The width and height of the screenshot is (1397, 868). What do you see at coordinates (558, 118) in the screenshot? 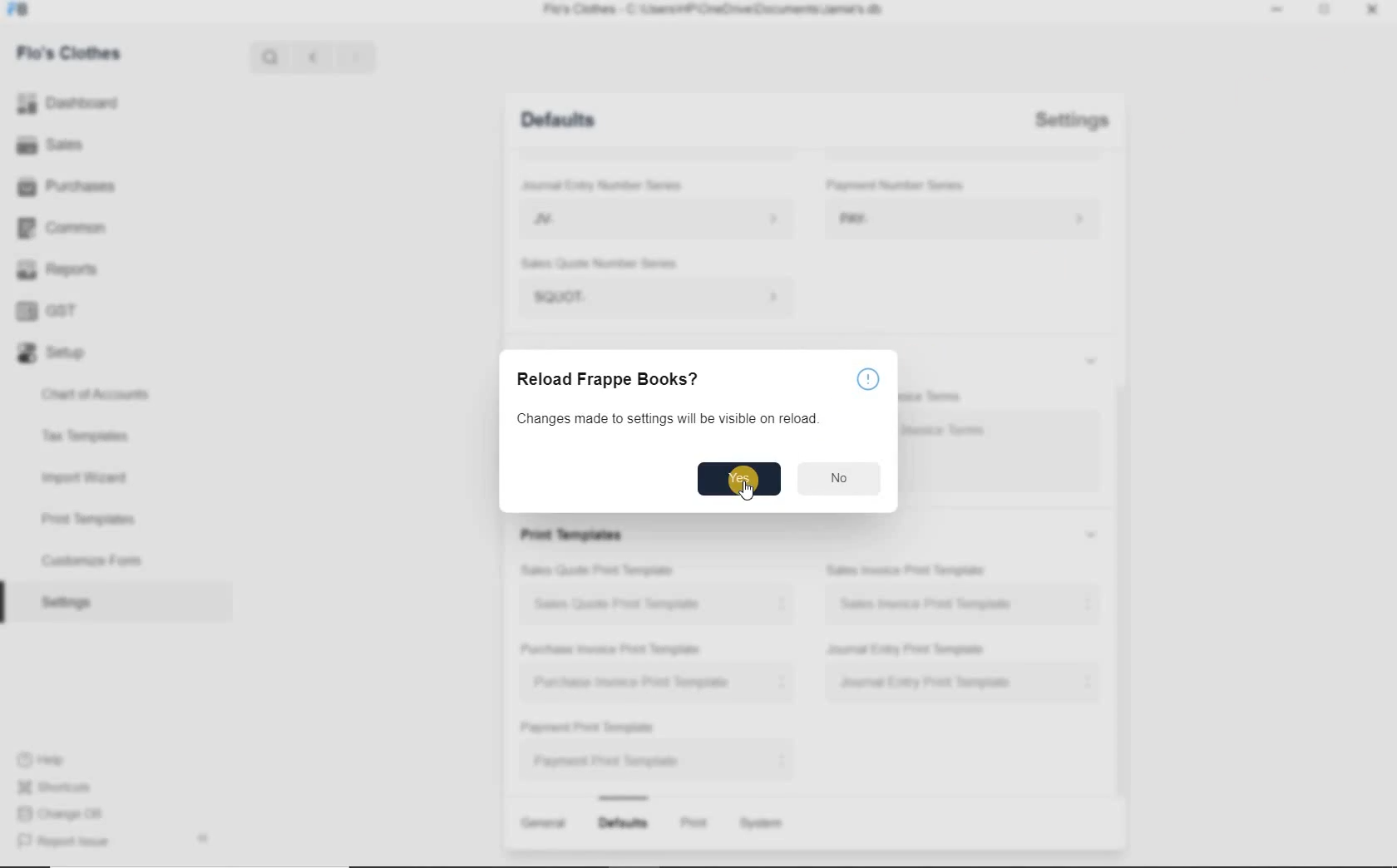
I see `Defaults` at bounding box center [558, 118].